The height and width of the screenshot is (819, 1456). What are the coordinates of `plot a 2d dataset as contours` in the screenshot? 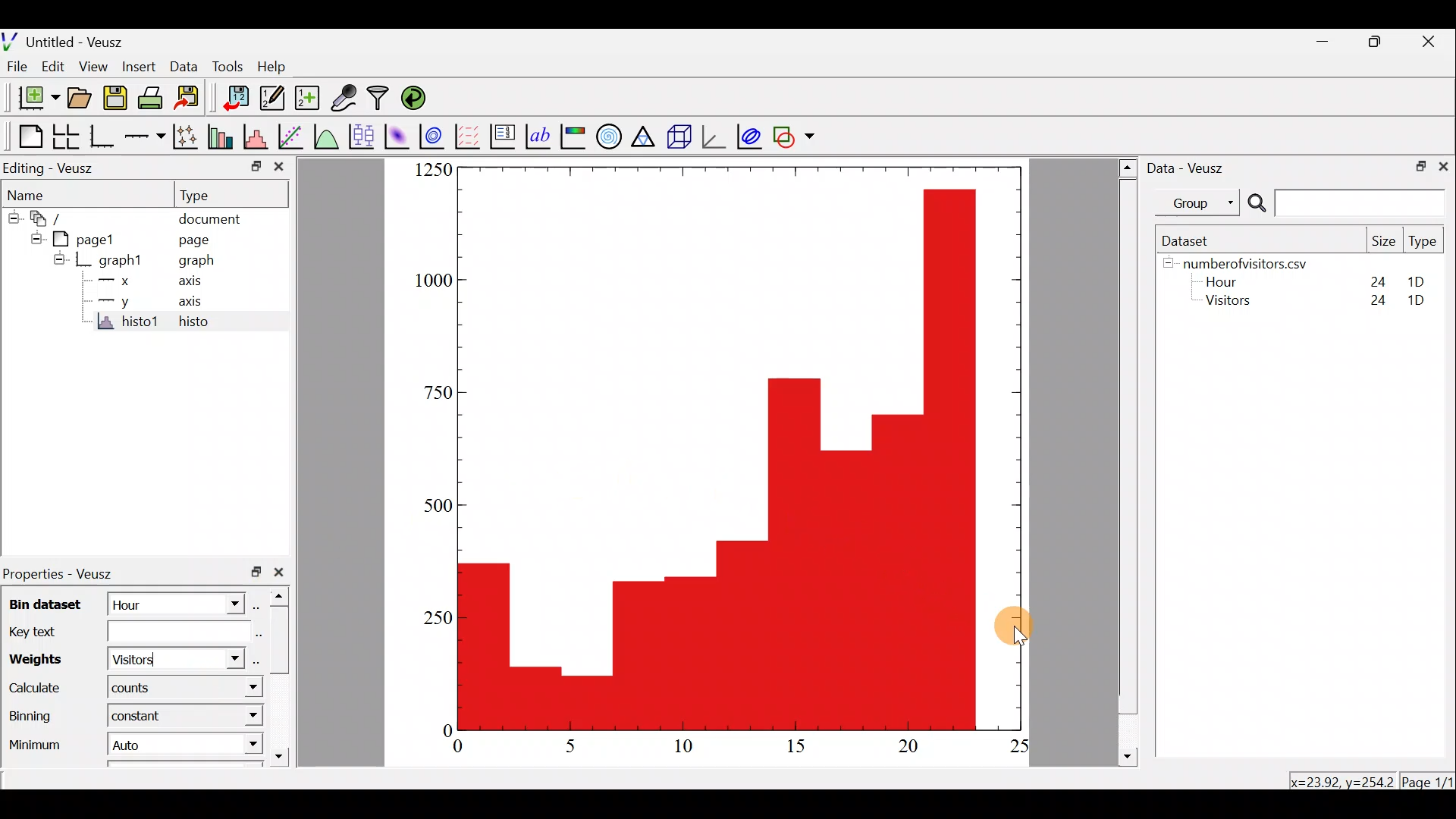 It's located at (431, 136).